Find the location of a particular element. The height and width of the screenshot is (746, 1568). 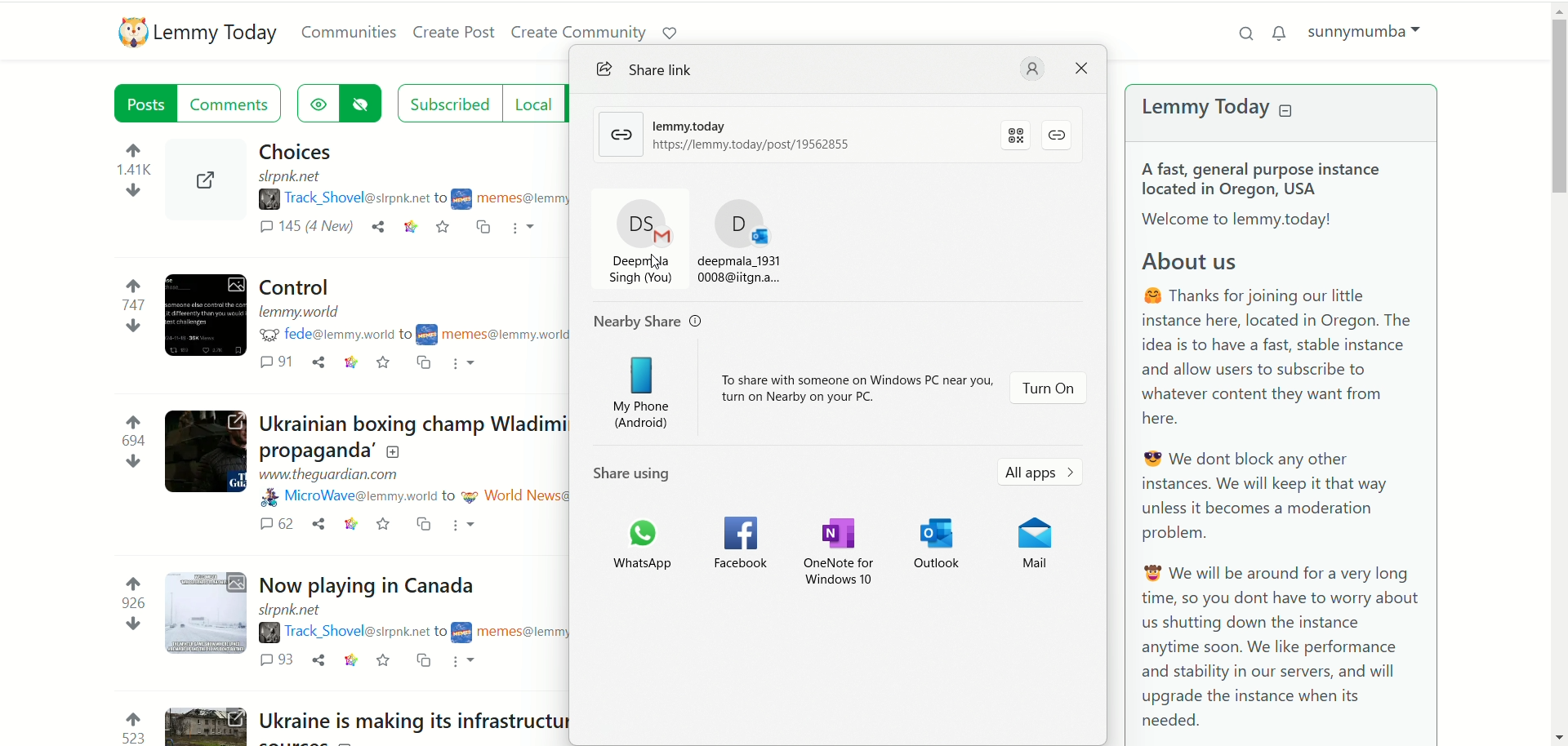

turn on is located at coordinates (1049, 389).